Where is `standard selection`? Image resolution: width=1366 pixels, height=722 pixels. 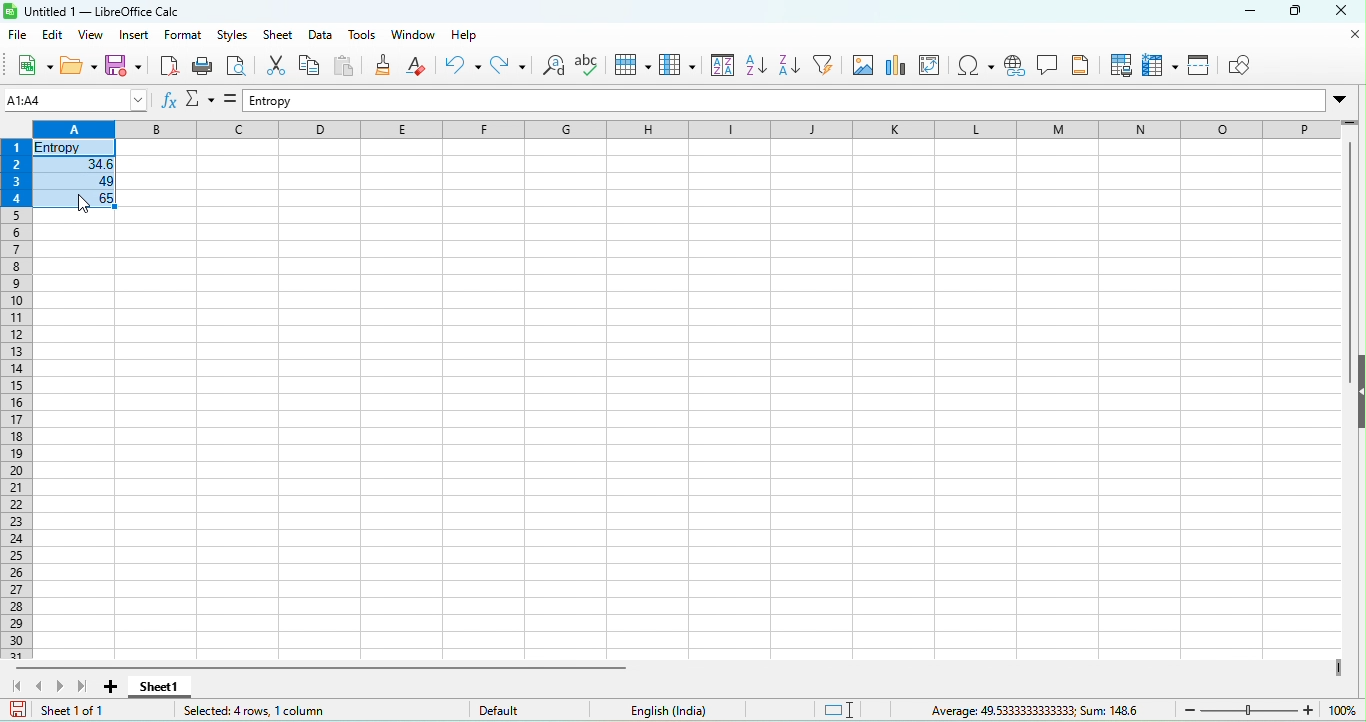
standard selection is located at coordinates (806, 710).